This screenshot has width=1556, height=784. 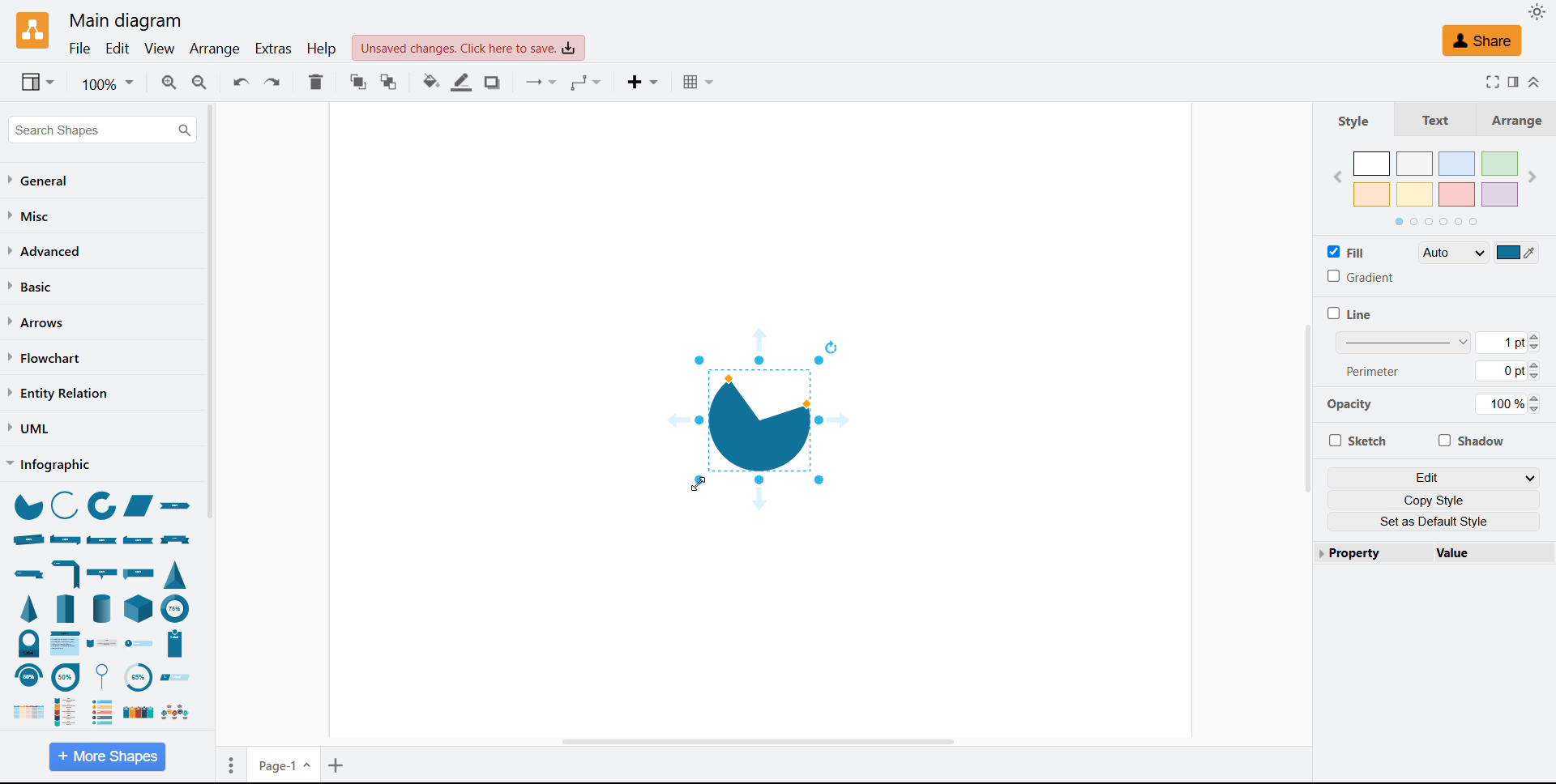 I want to click on Value , so click(x=1486, y=552).